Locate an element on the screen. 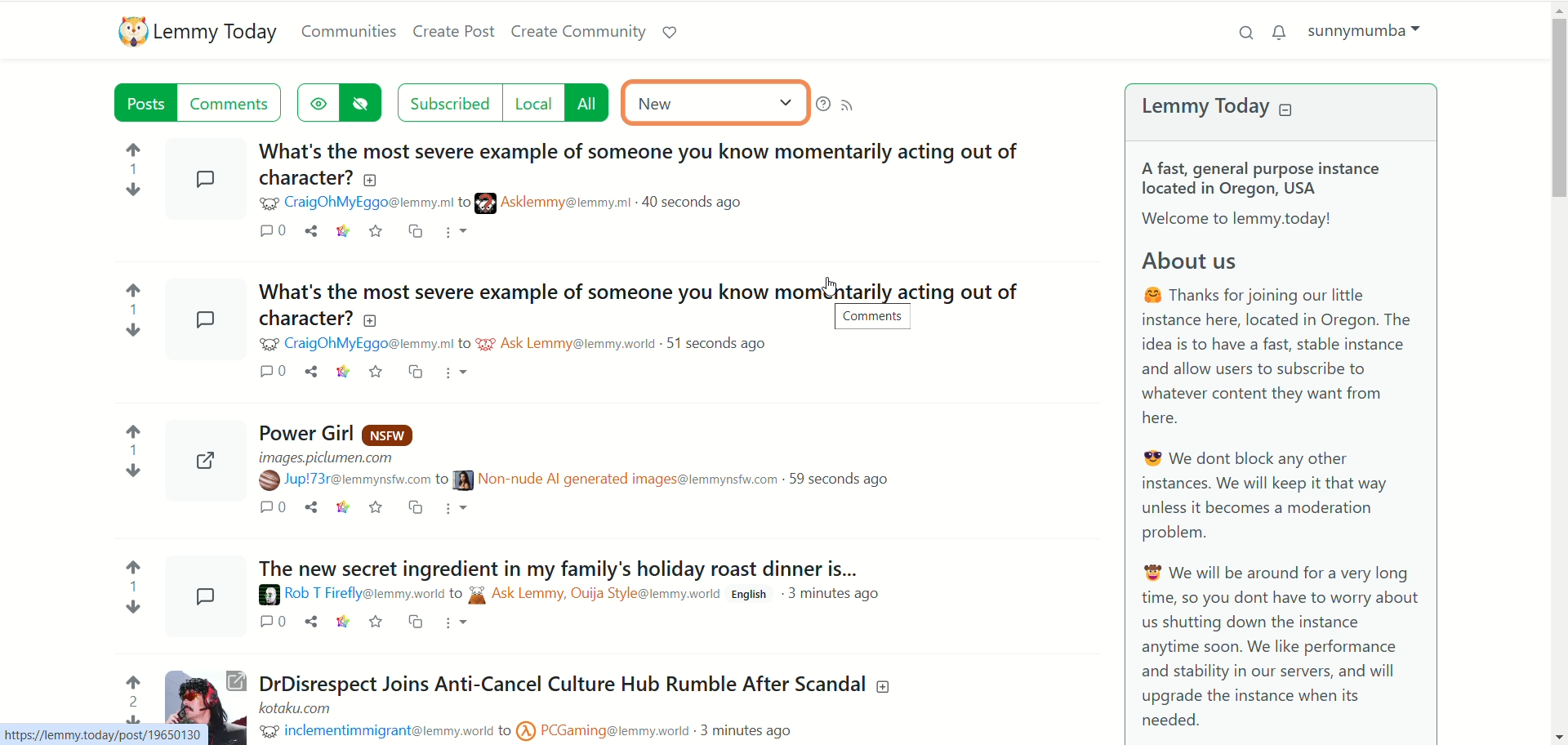  Notifications is located at coordinates (1278, 33).